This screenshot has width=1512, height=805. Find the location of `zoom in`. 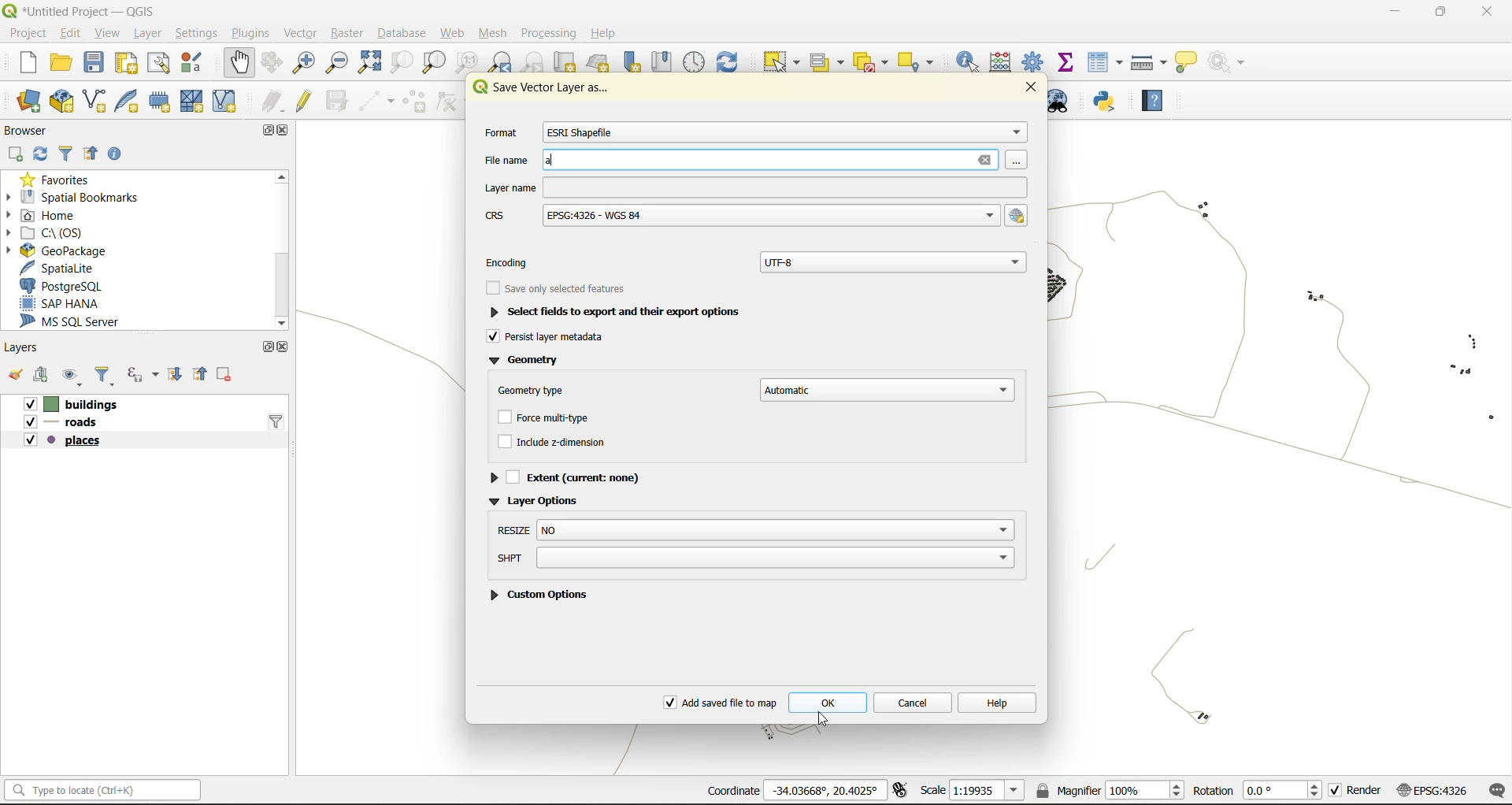

zoom in is located at coordinates (307, 63).